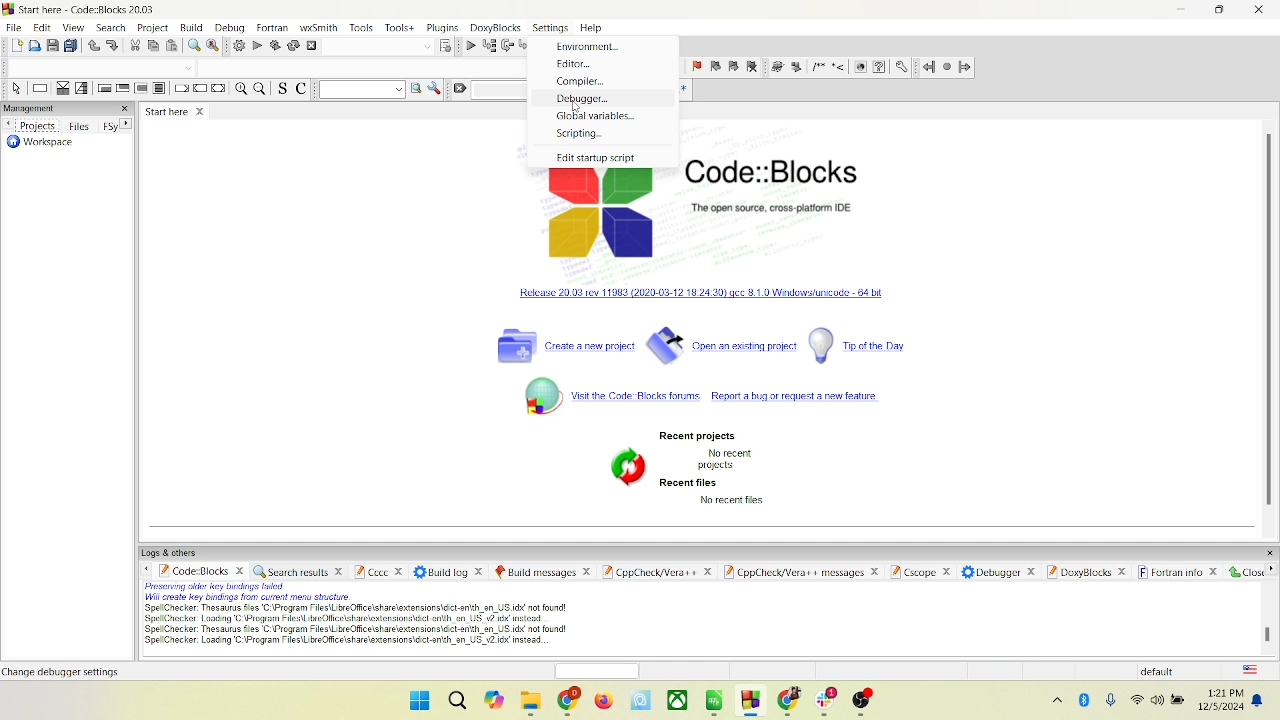 The height and width of the screenshot is (720, 1280). Describe the element at coordinates (293, 47) in the screenshot. I see `rebuild` at that location.